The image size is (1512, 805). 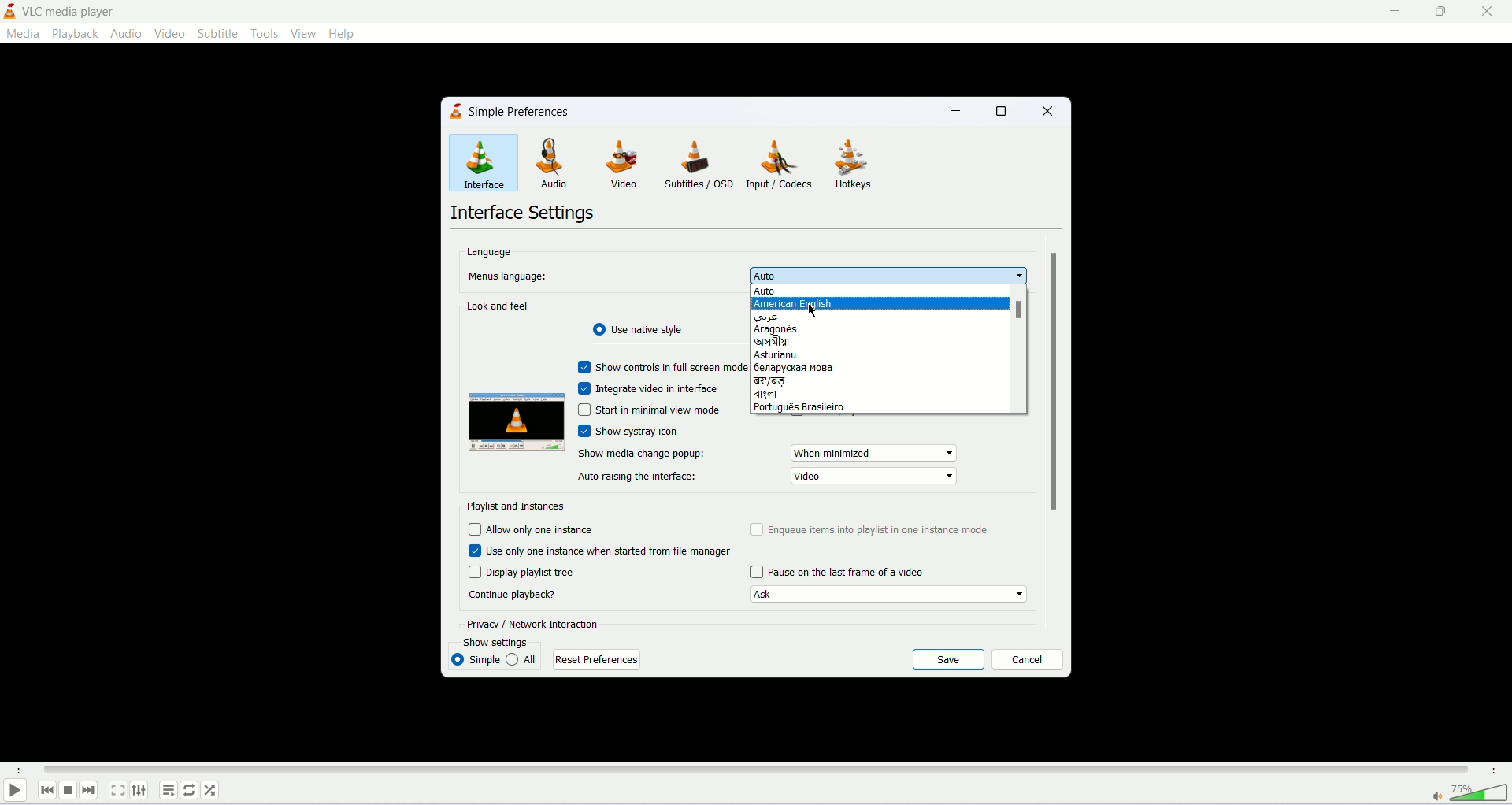 I want to click on close, so click(x=1044, y=109).